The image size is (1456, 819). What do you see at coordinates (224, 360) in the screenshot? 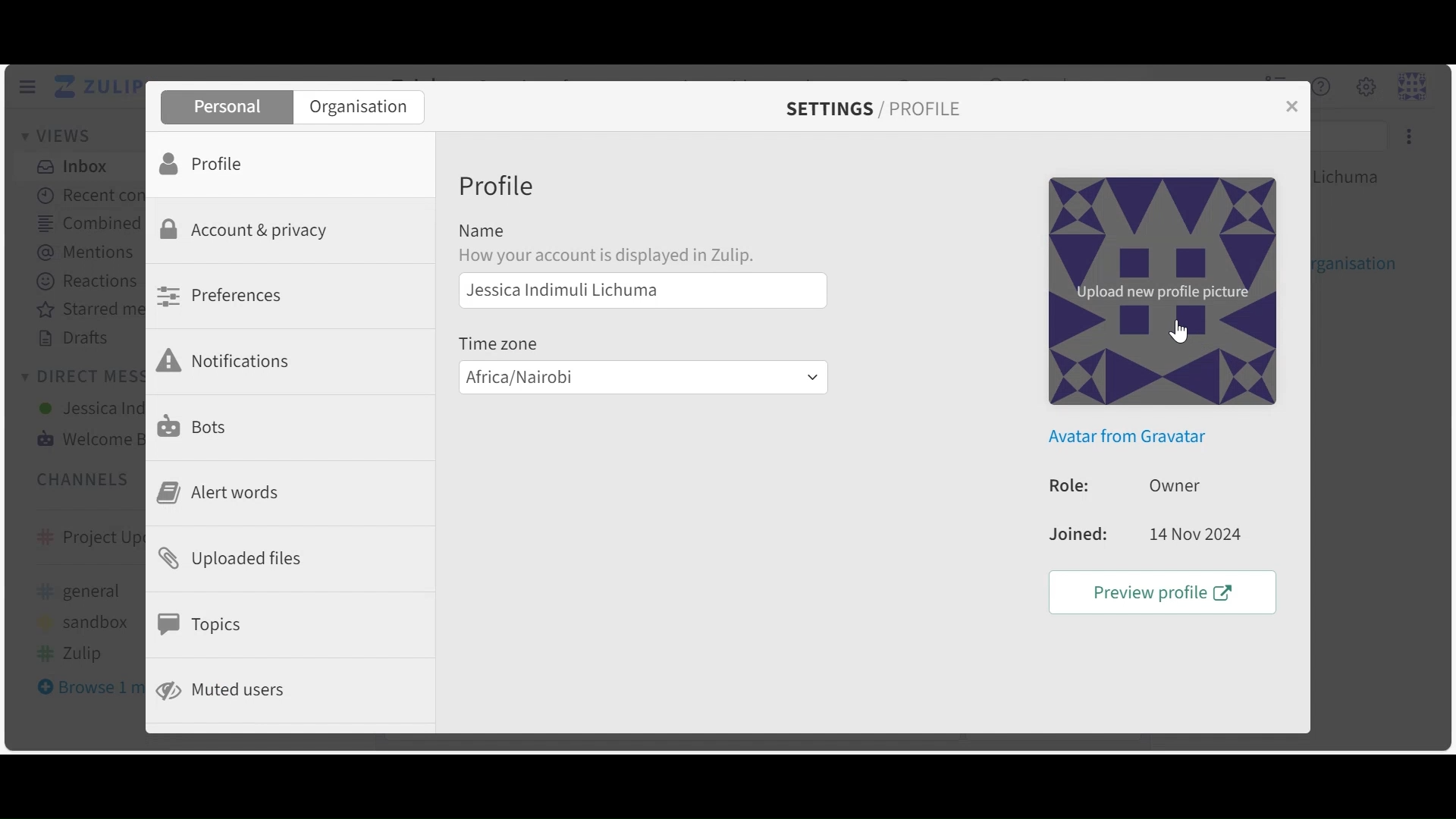
I see `Notifications` at bounding box center [224, 360].